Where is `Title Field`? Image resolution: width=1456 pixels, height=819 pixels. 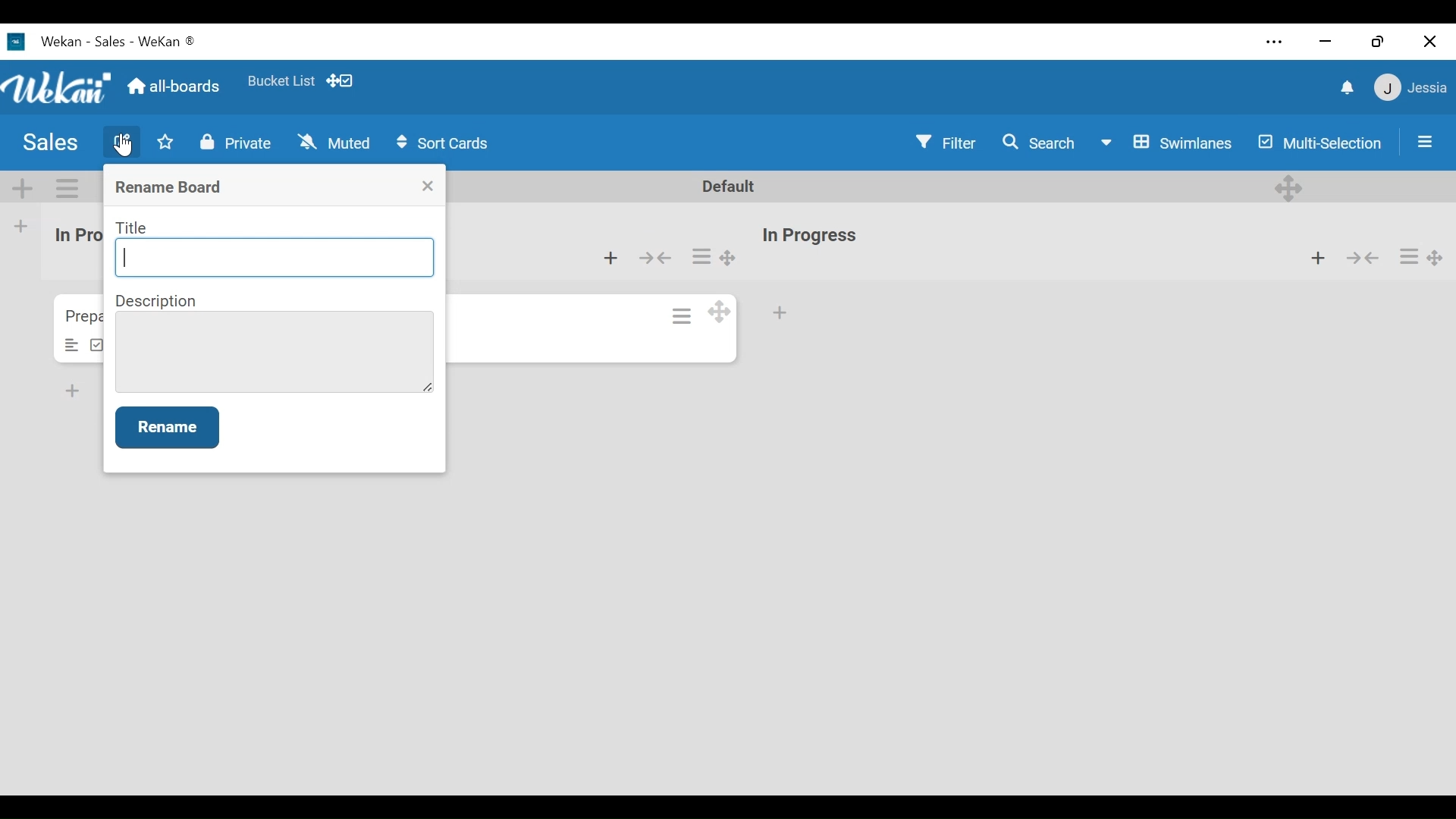 Title Field is located at coordinates (276, 258).